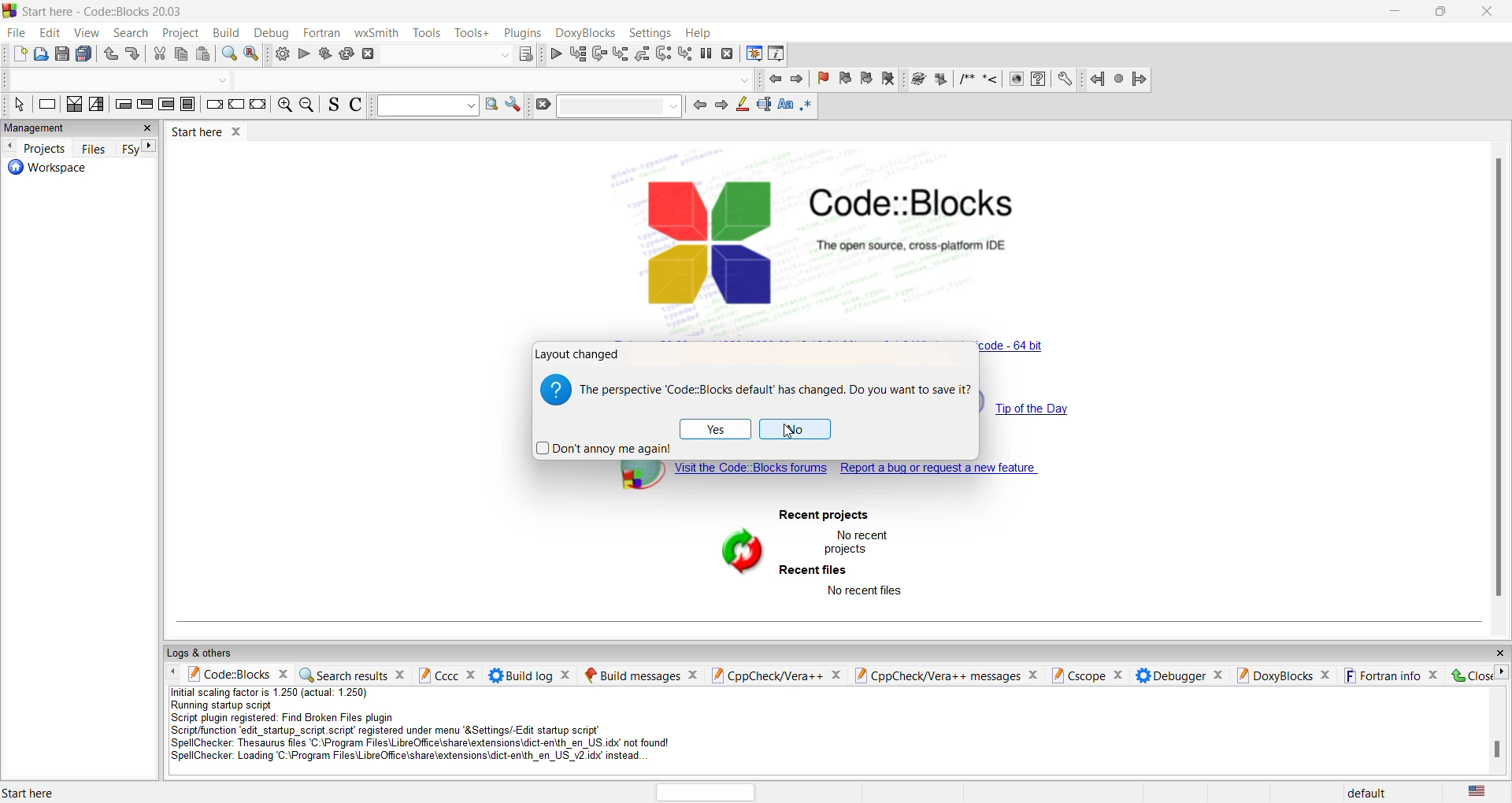  I want to click on remove bookmark, so click(820, 80).